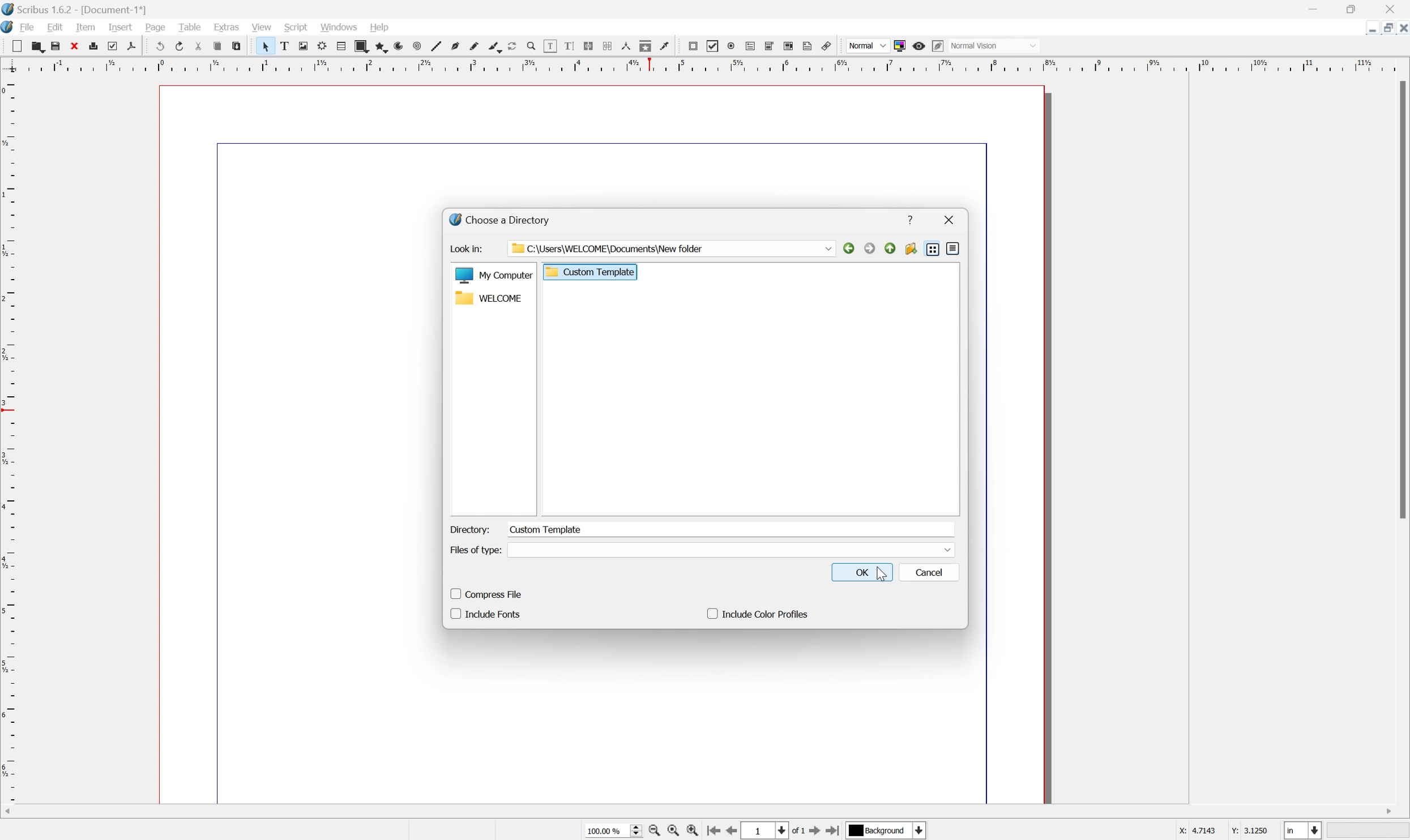  What do you see at coordinates (666, 46) in the screenshot?
I see `Eye dropper` at bounding box center [666, 46].